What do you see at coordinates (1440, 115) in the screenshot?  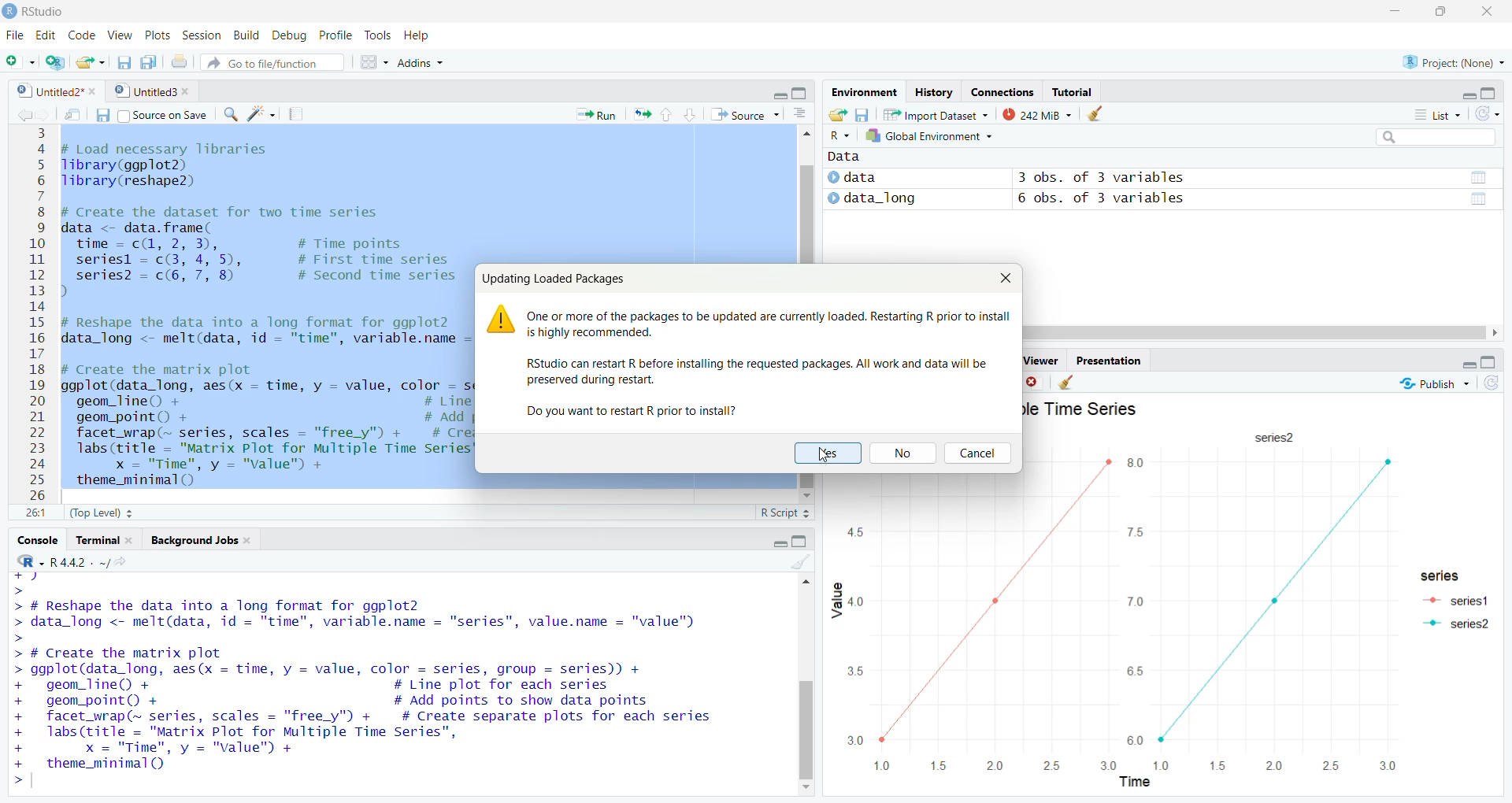 I see `List` at bounding box center [1440, 115].